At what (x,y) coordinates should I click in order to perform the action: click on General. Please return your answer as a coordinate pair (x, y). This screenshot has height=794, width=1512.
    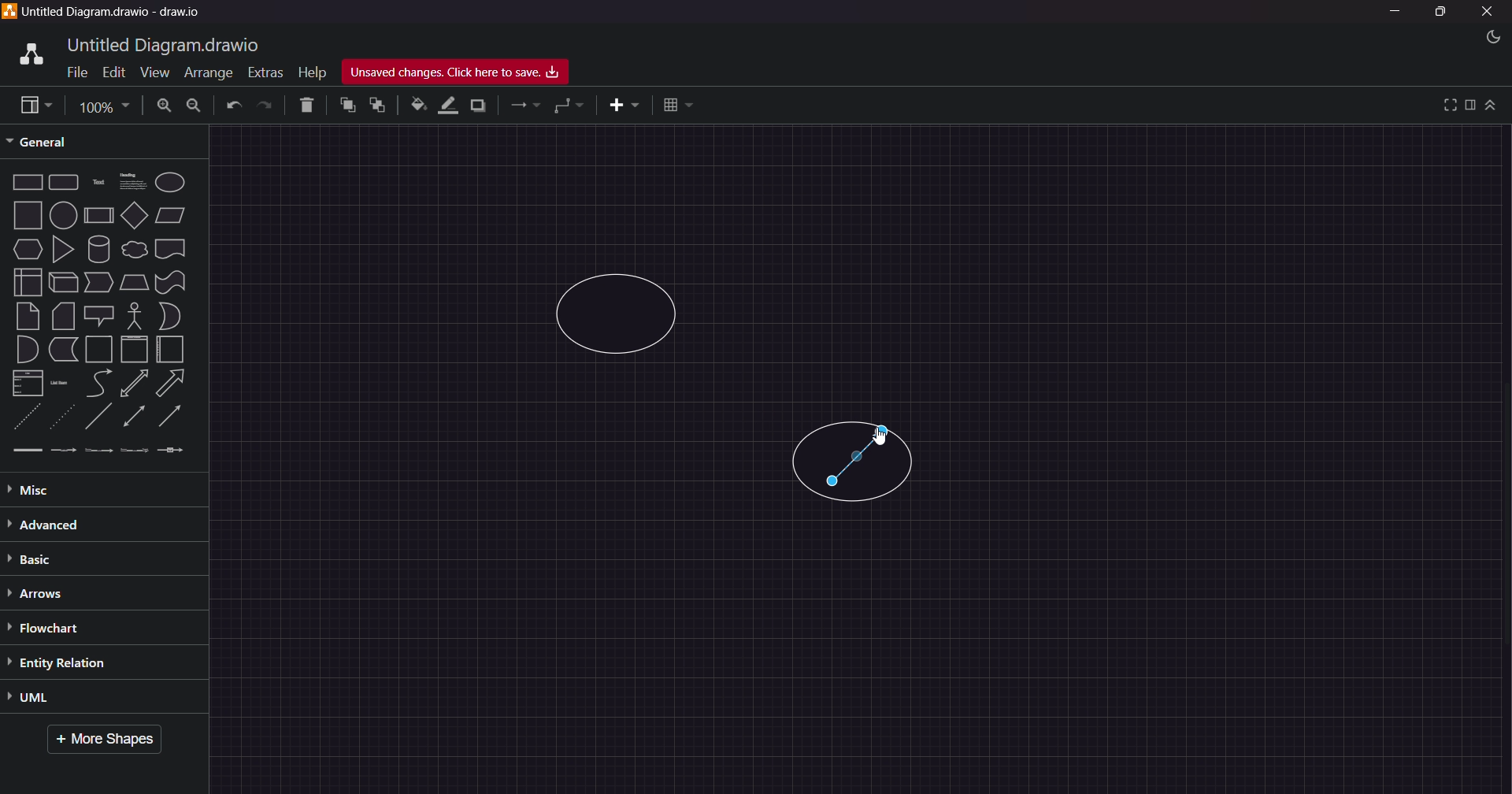
    Looking at the image, I should click on (50, 141).